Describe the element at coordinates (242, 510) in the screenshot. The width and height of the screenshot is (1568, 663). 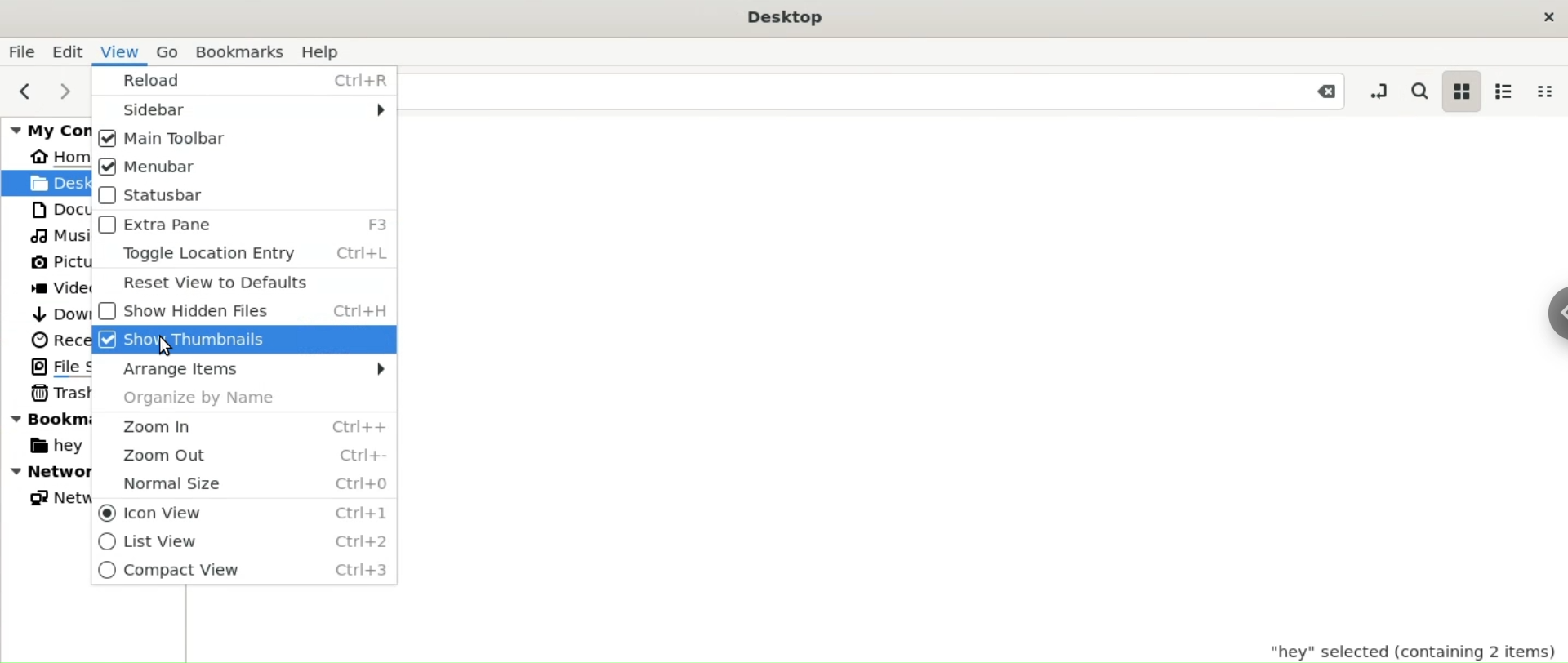
I see `Icon View` at that location.